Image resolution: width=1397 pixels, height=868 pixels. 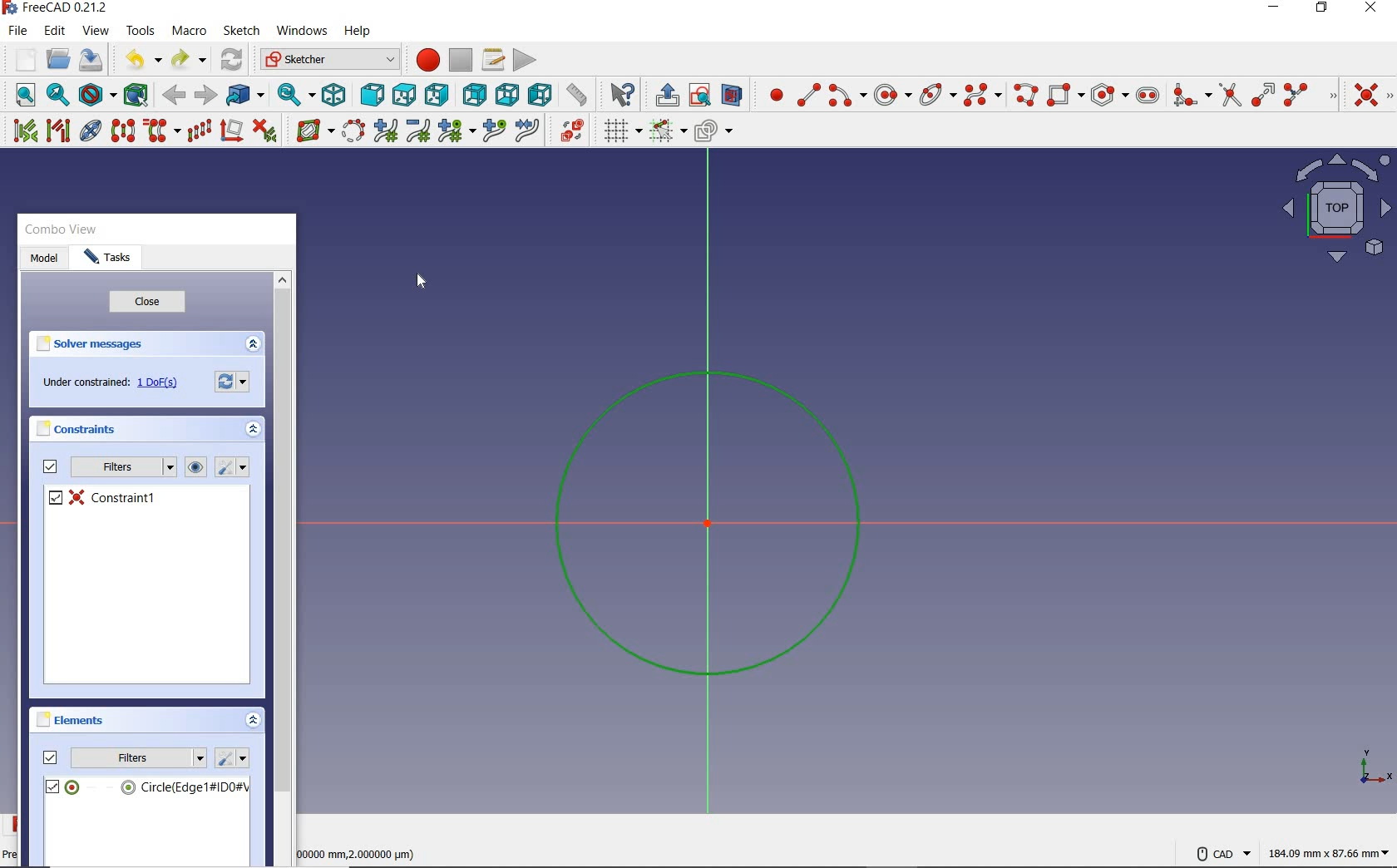 What do you see at coordinates (714, 131) in the screenshot?
I see `configure rendering order` at bounding box center [714, 131].